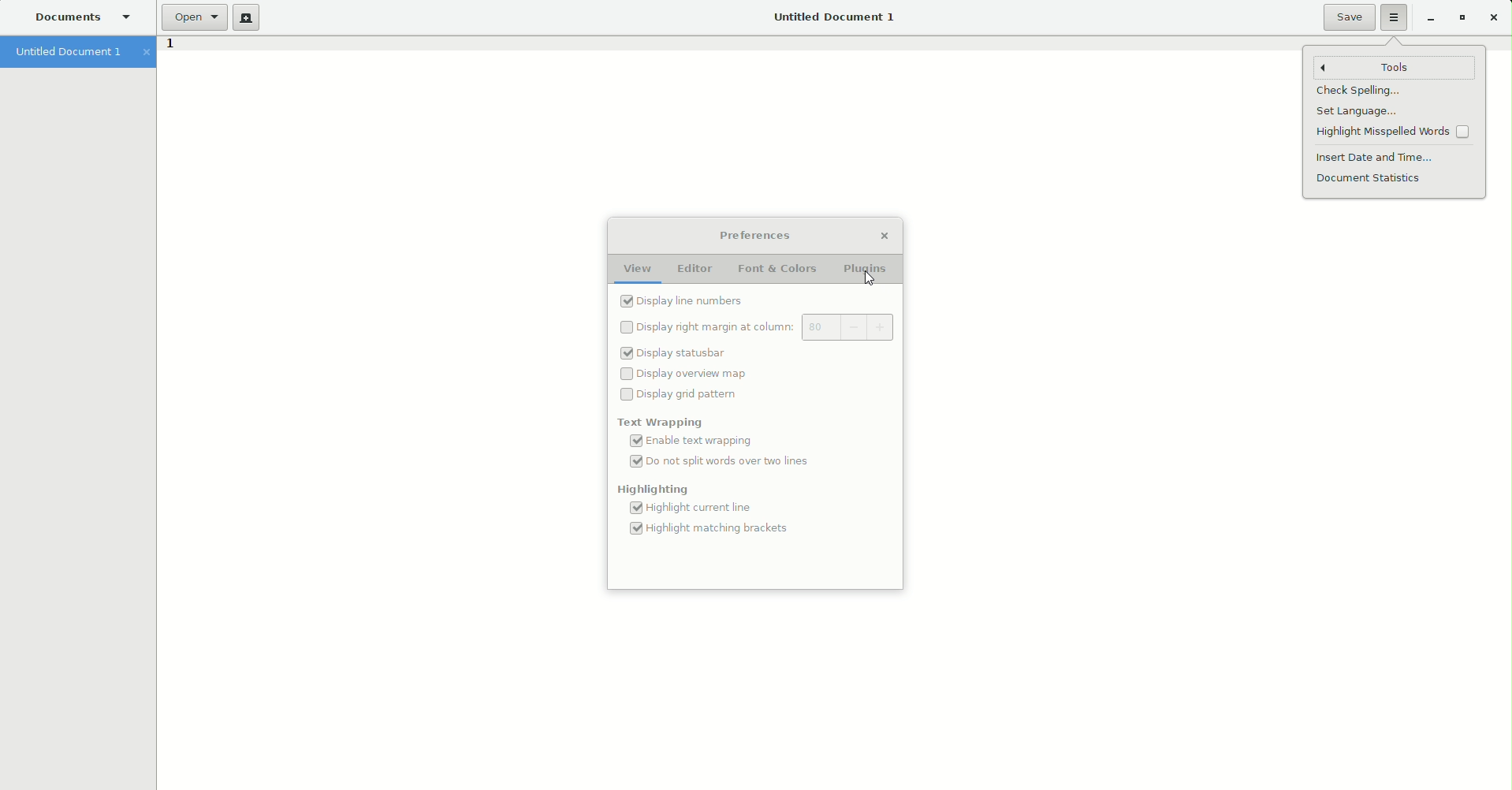 The image size is (1512, 790). I want to click on Highlight misspelled words, so click(1395, 133).